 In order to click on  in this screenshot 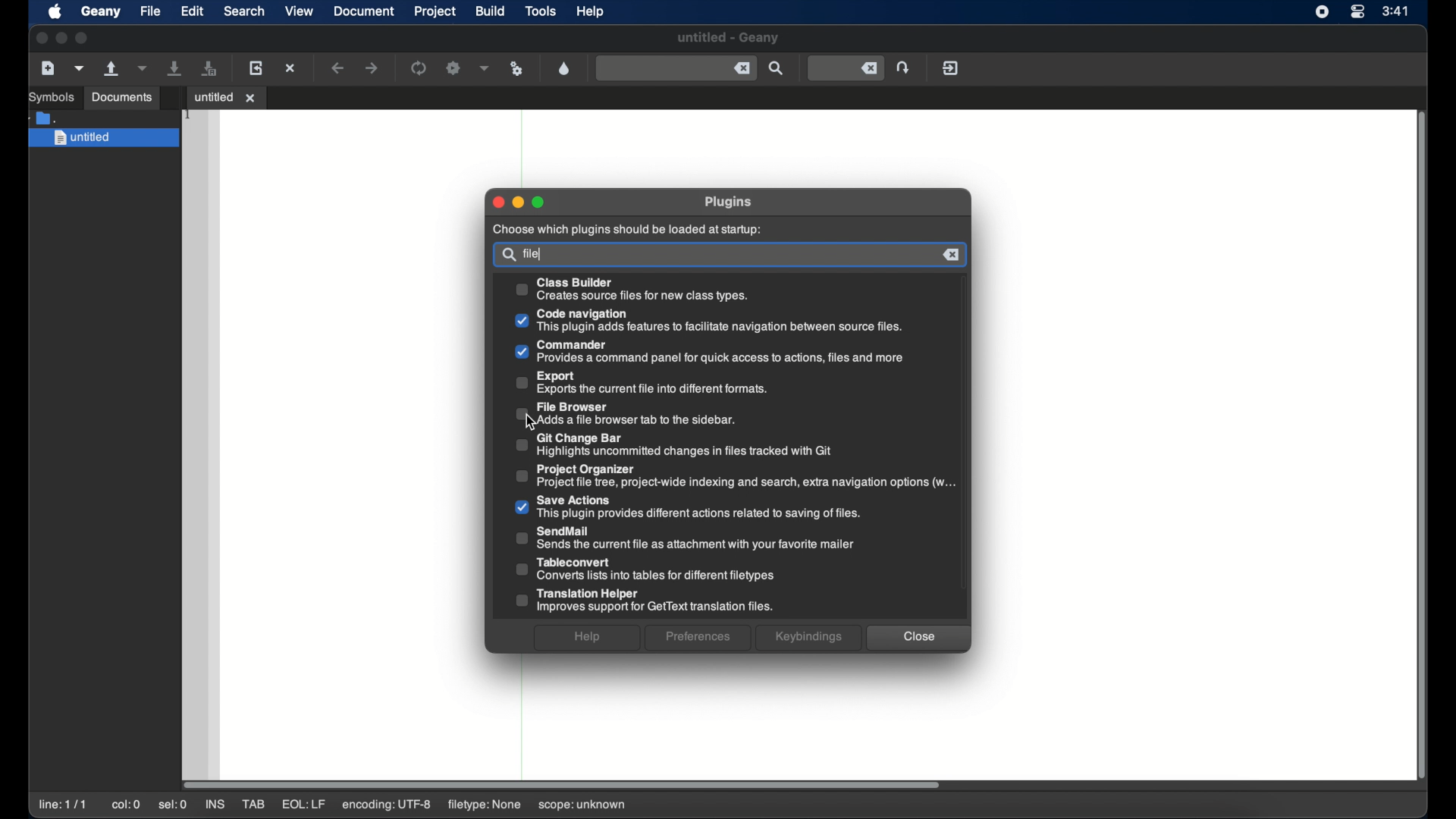, I will do `click(519, 202)`.